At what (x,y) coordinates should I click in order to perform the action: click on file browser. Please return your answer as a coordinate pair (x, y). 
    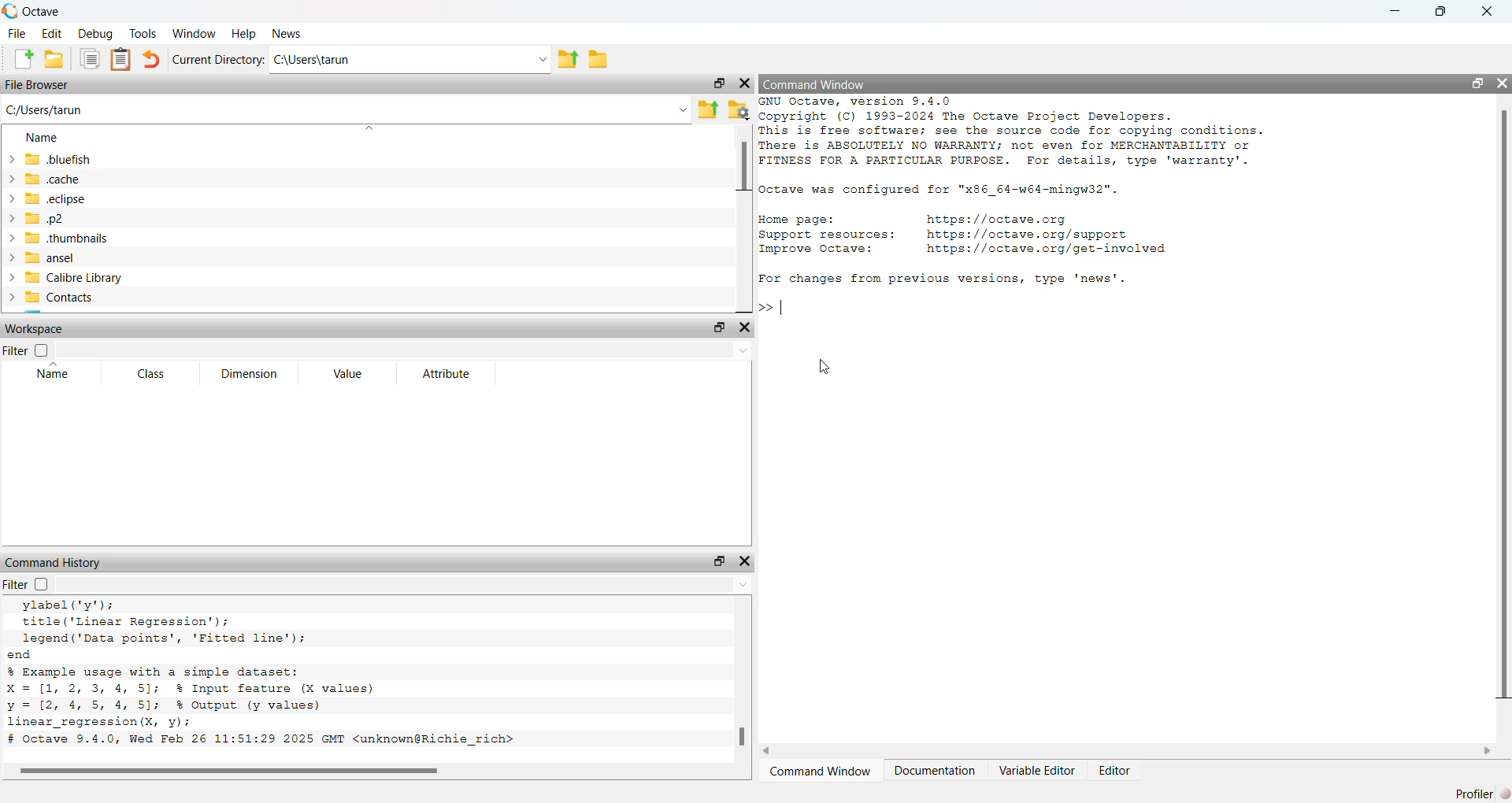
    Looking at the image, I should click on (39, 86).